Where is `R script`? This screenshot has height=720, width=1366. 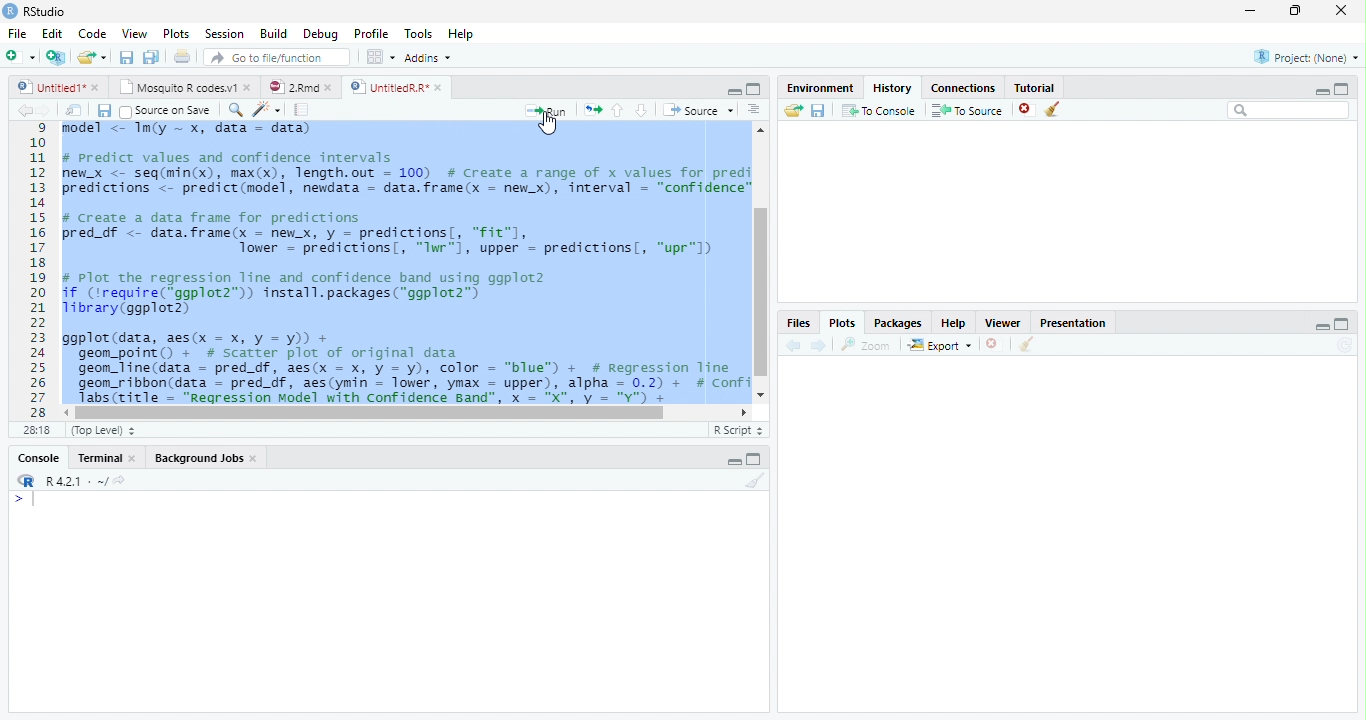 R script is located at coordinates (738, 430).